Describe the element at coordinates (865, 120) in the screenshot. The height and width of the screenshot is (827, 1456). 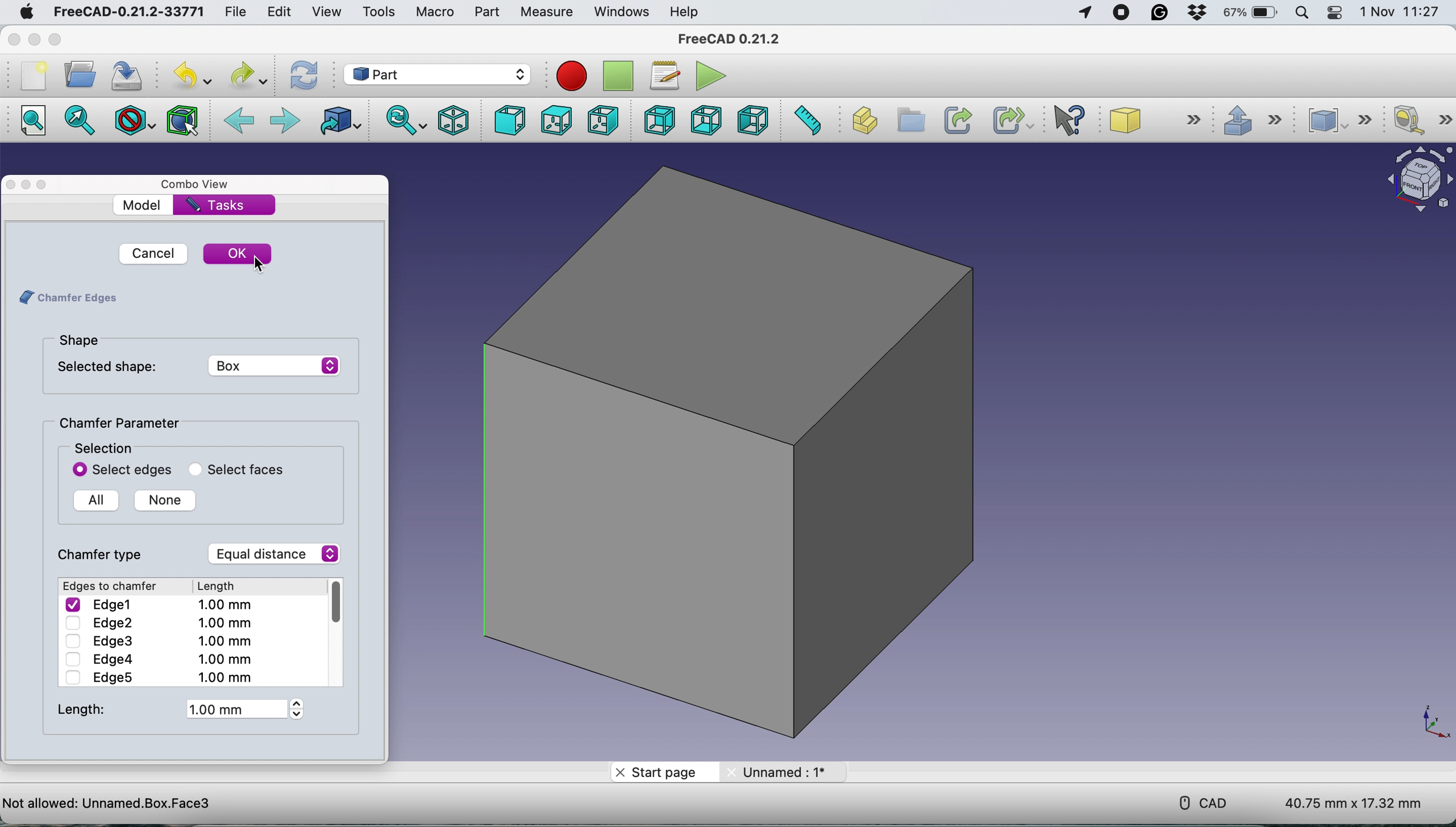
I see `create part` at that location.